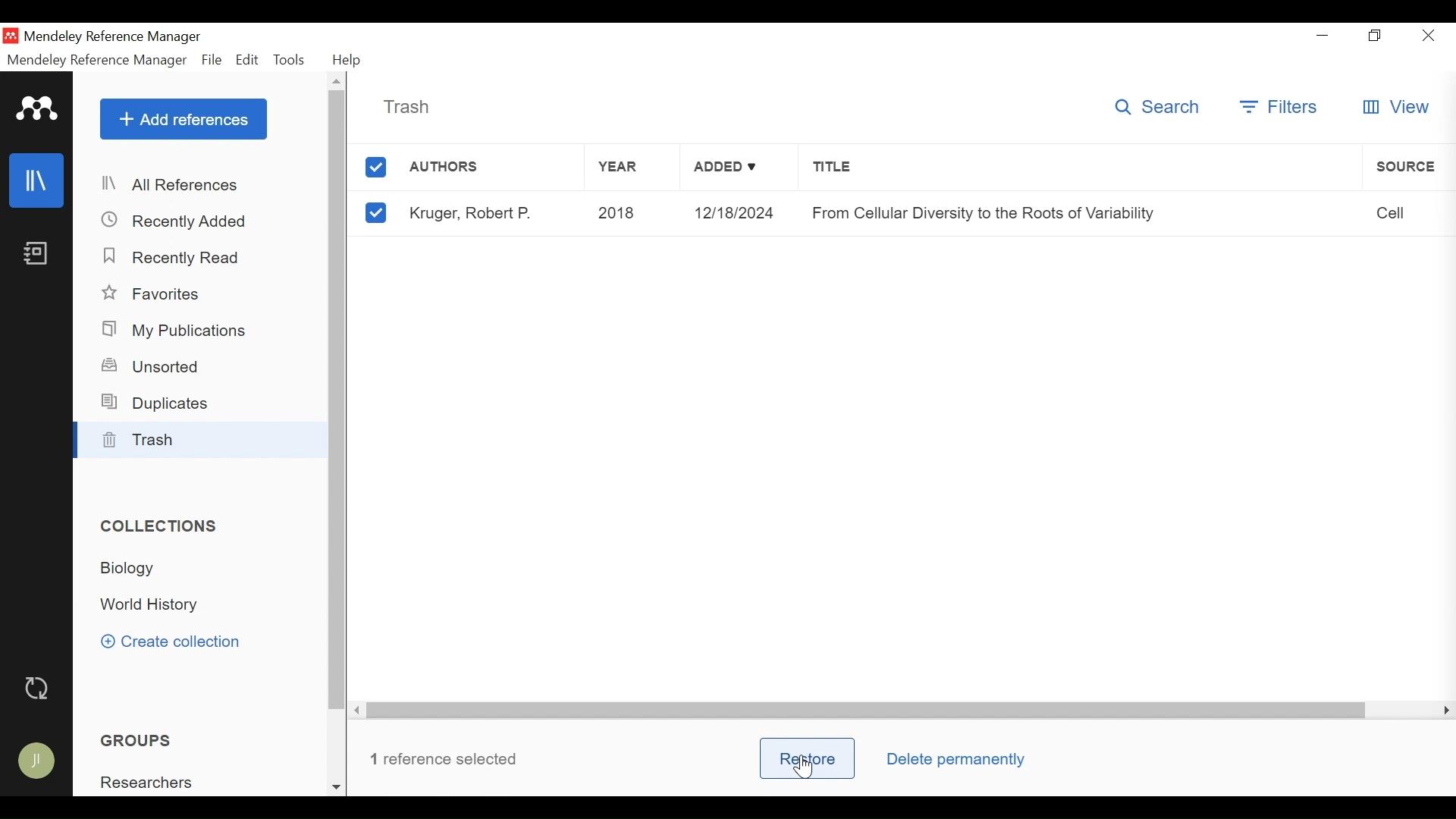 The height and width of the screenshot is (819, 1456). I want to click on Group, so click(147, 739).